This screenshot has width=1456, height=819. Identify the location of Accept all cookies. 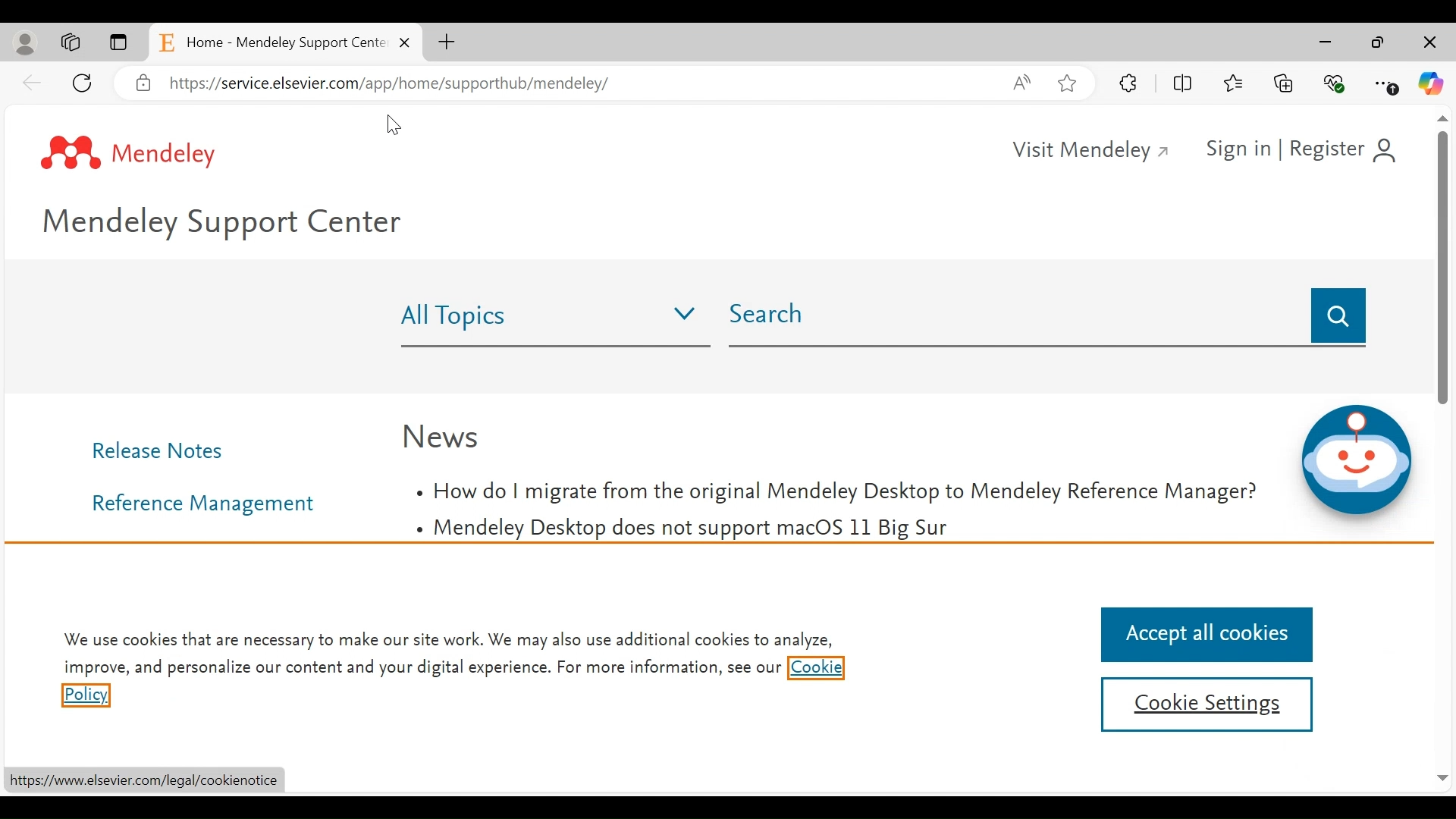
(1203, 635).